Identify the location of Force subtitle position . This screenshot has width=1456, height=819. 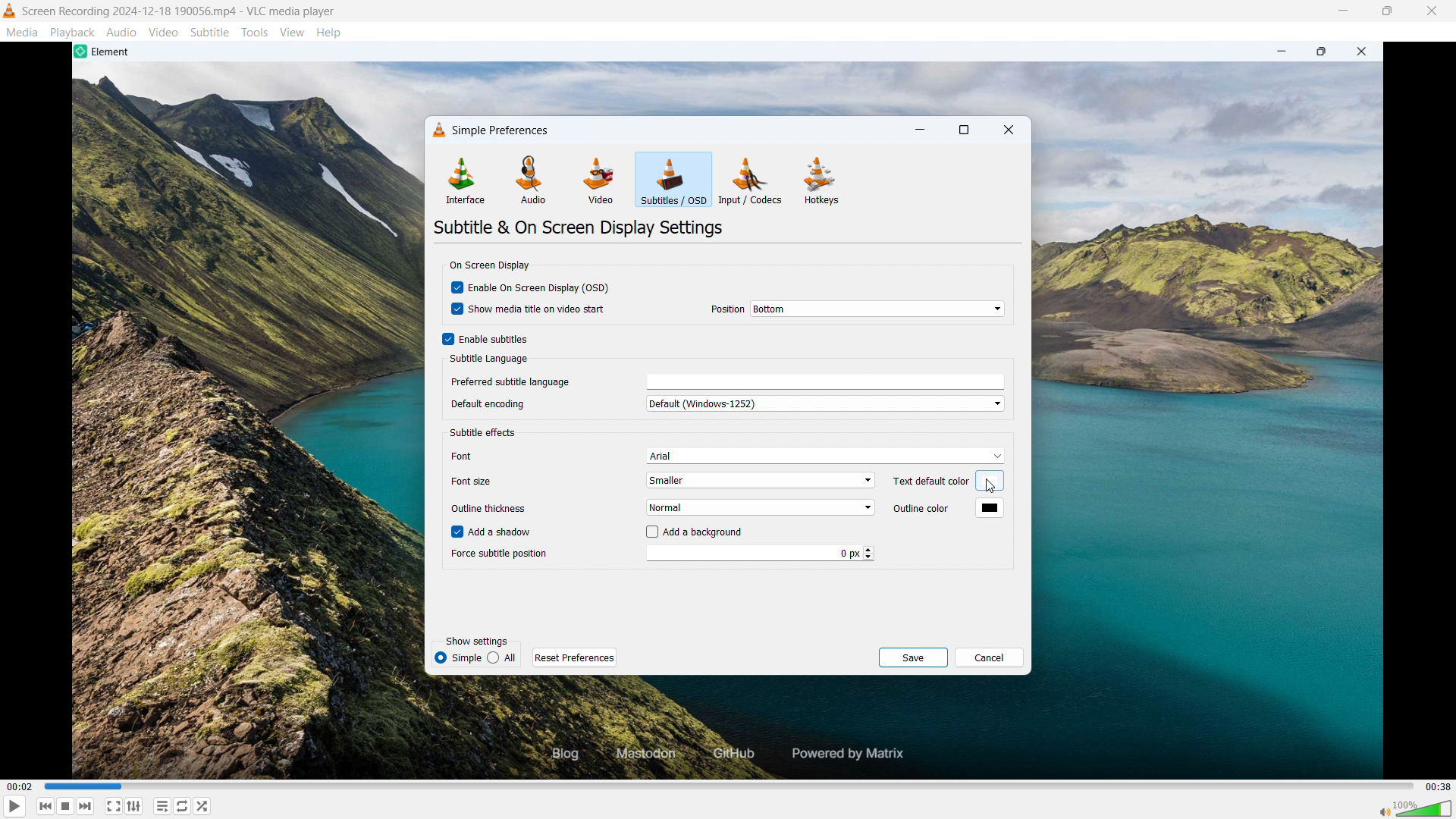
(760, 554).